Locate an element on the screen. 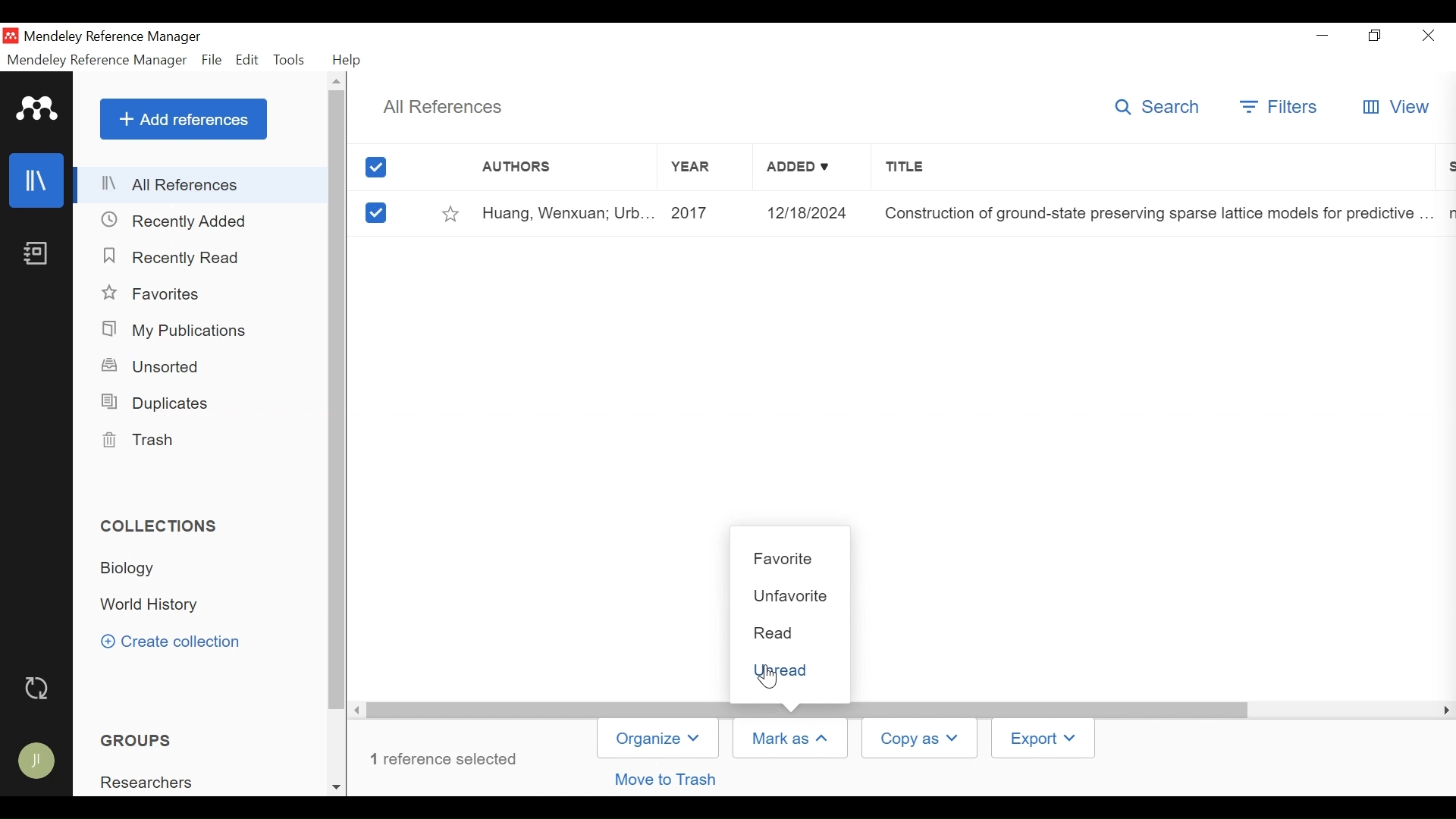 This screenshot has width=1456, height=819. Mendeley Reference Manager is located at coordinates (120, 36).